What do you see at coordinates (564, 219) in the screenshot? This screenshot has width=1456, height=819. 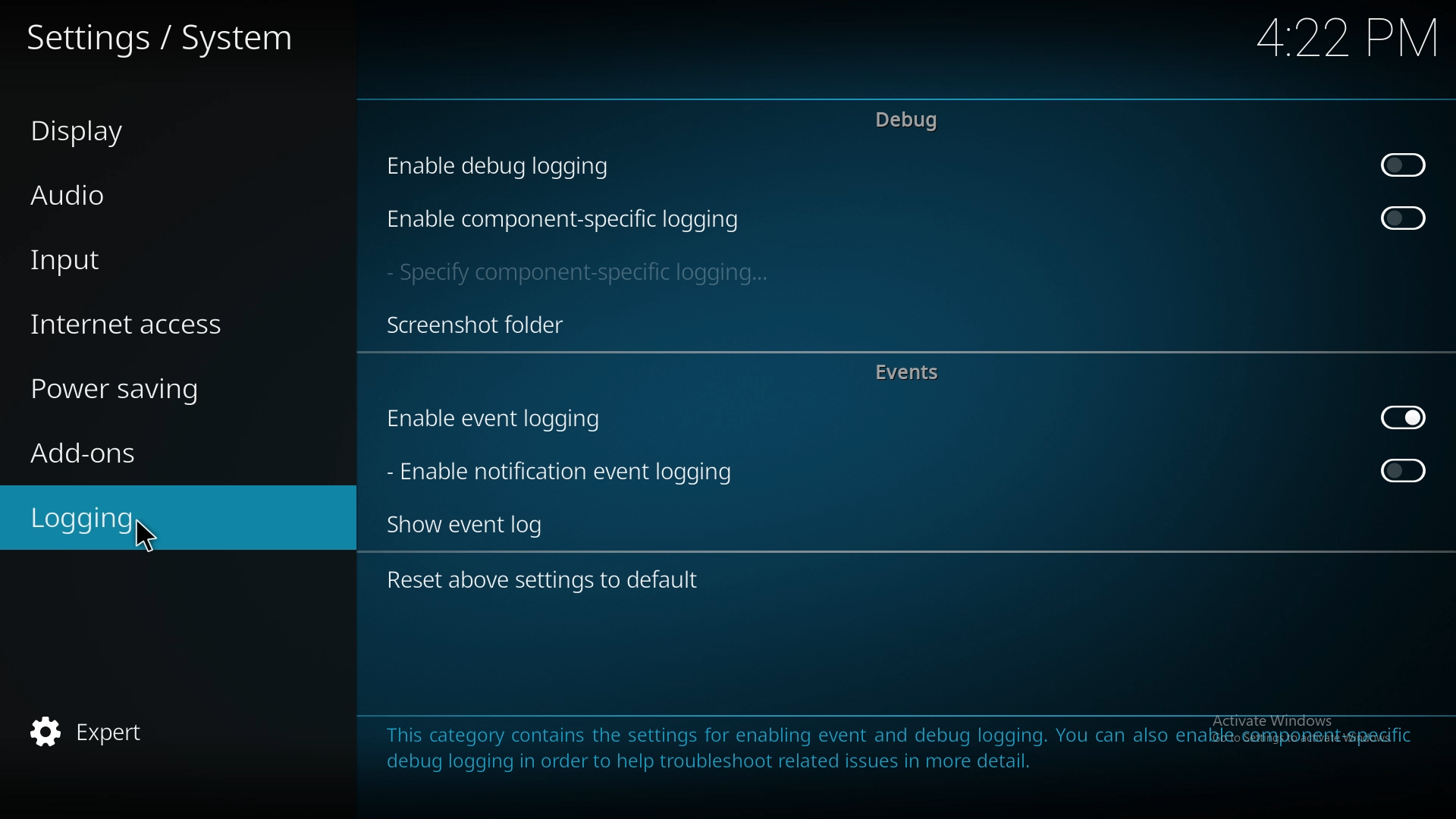 I see `enable component specific logging` at bounding box center [564, 219].